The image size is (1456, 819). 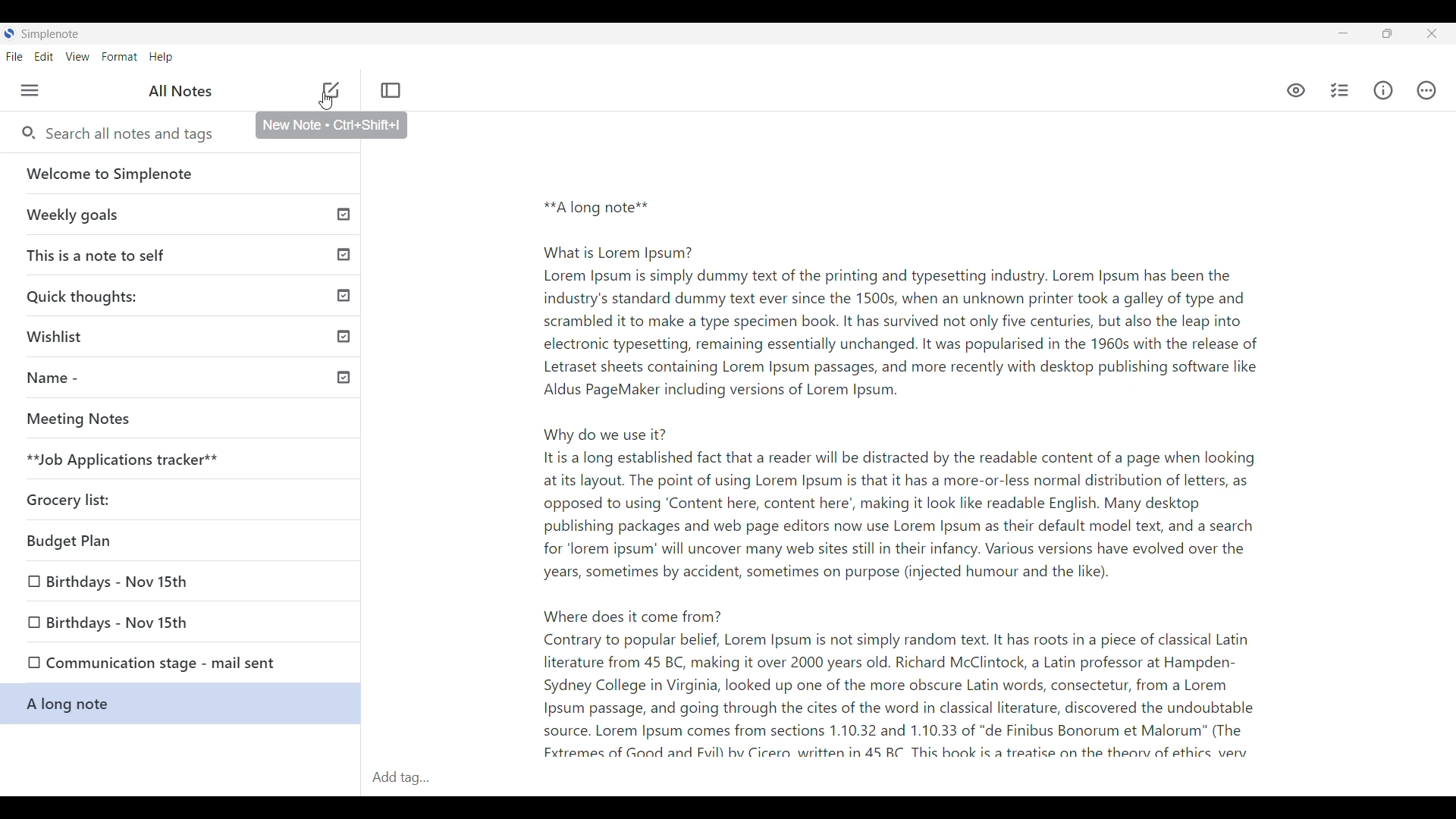 I want to click on Quick thoughts:, so click(x=187, y=295).